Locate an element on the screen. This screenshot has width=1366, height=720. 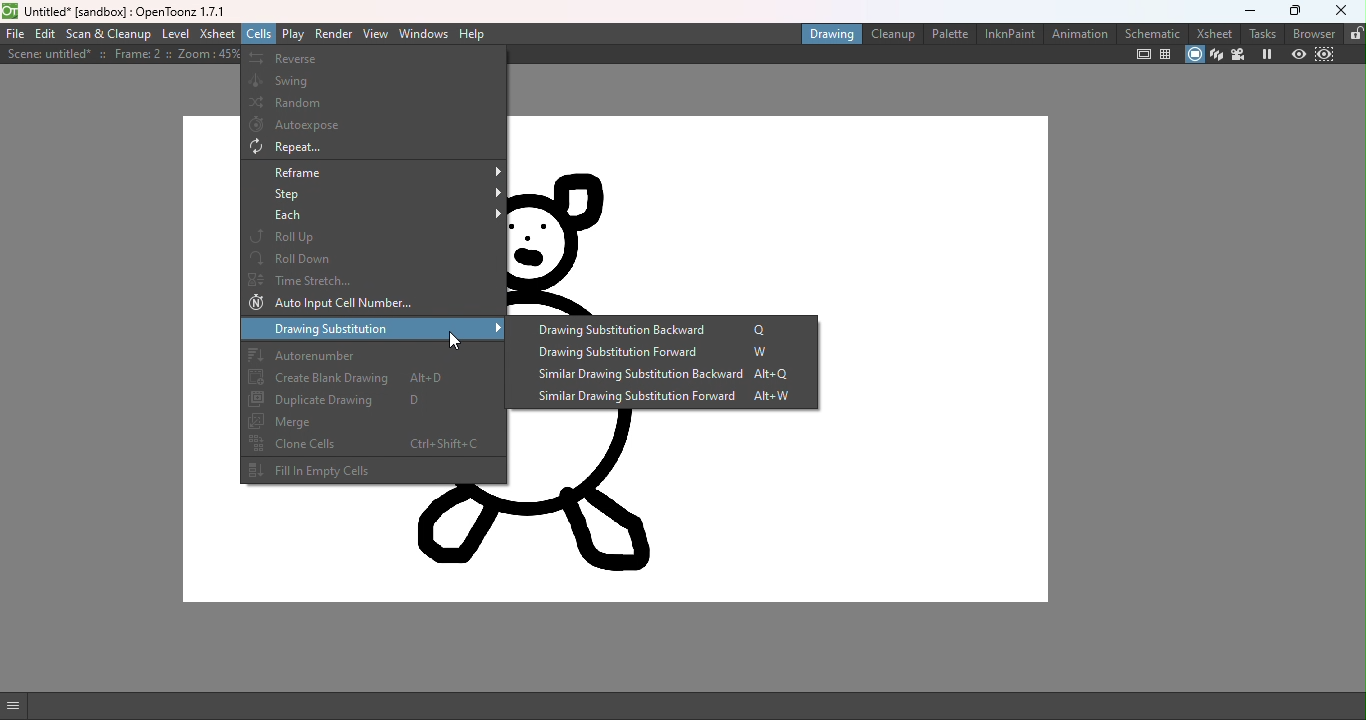
Rooms tab is located at coordinates (1355, 33).